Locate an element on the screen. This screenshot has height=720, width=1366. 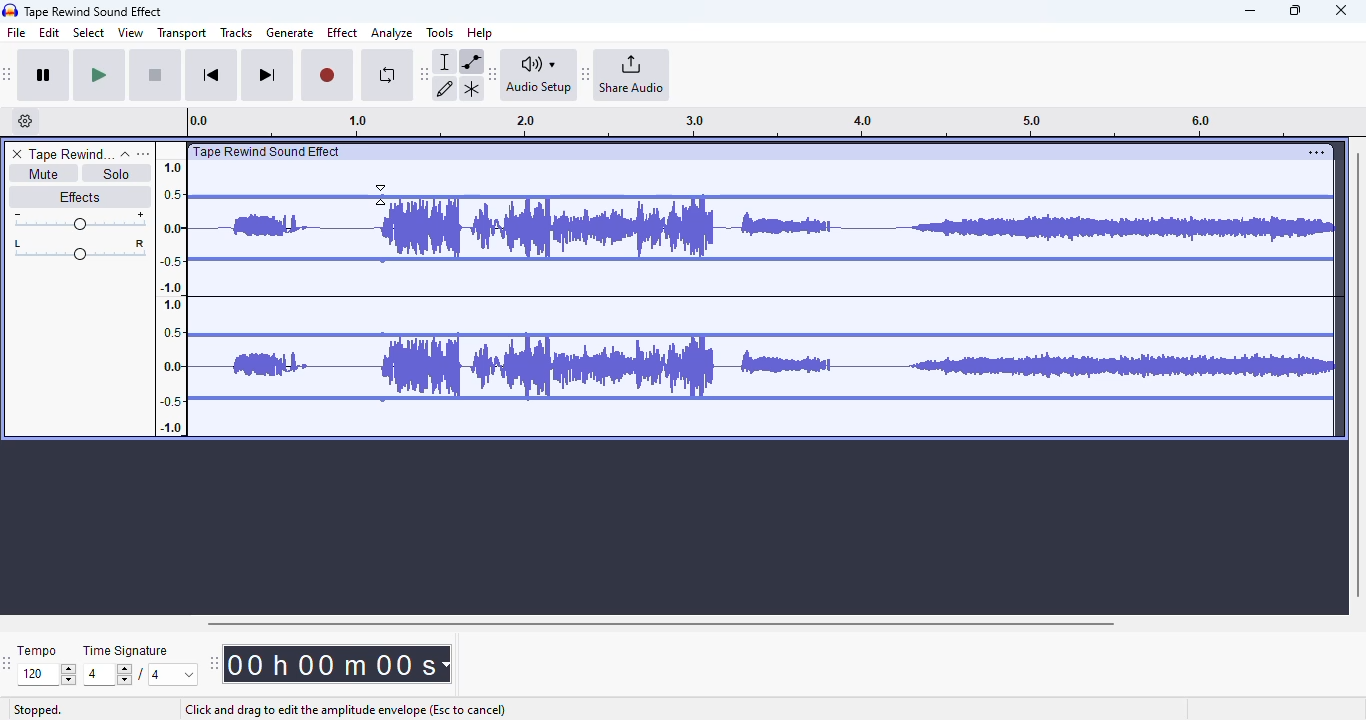
view is located at coordinates (131, 33).